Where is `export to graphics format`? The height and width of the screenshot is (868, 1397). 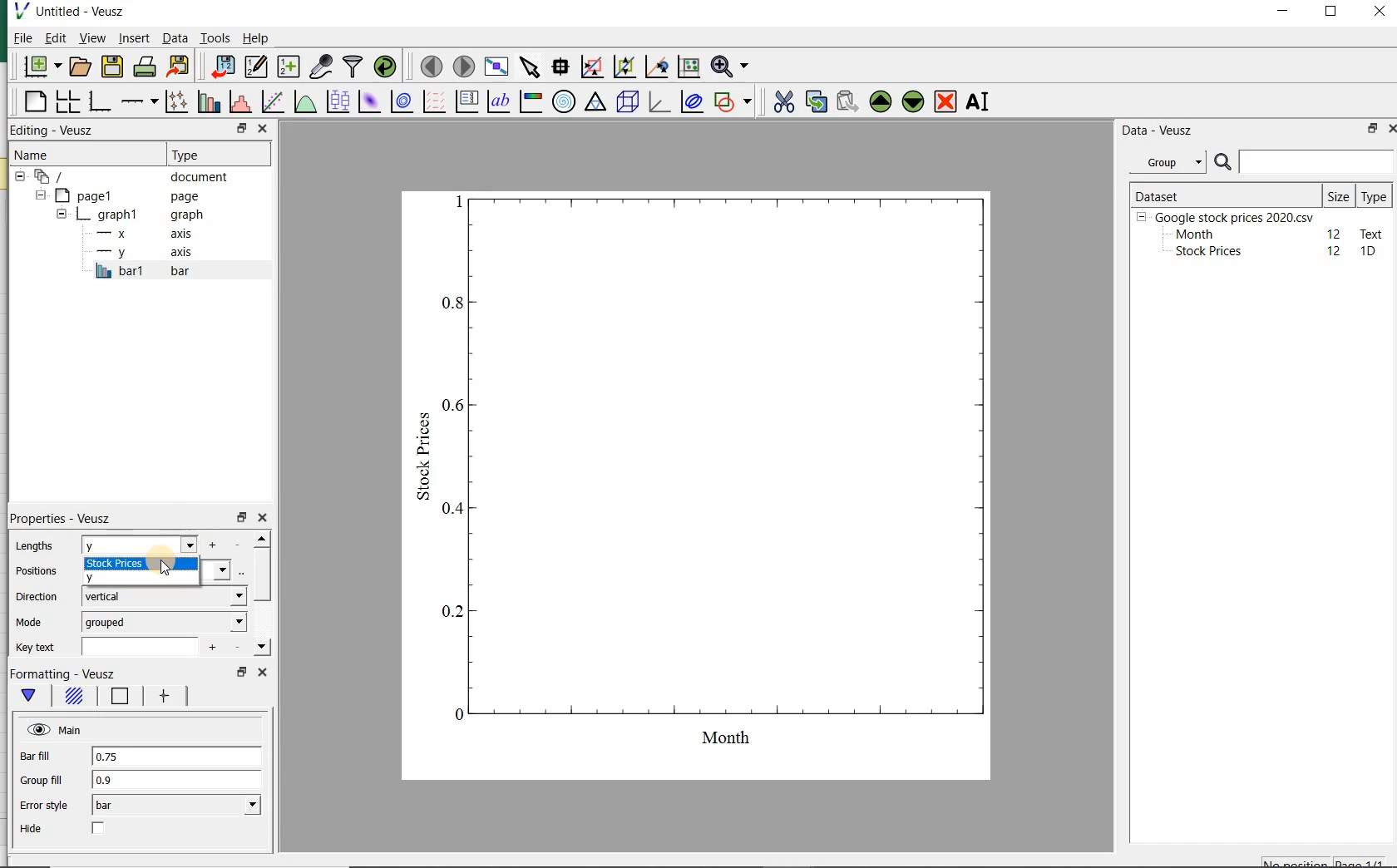 export to graphics format is located at coordinates (179, 67).